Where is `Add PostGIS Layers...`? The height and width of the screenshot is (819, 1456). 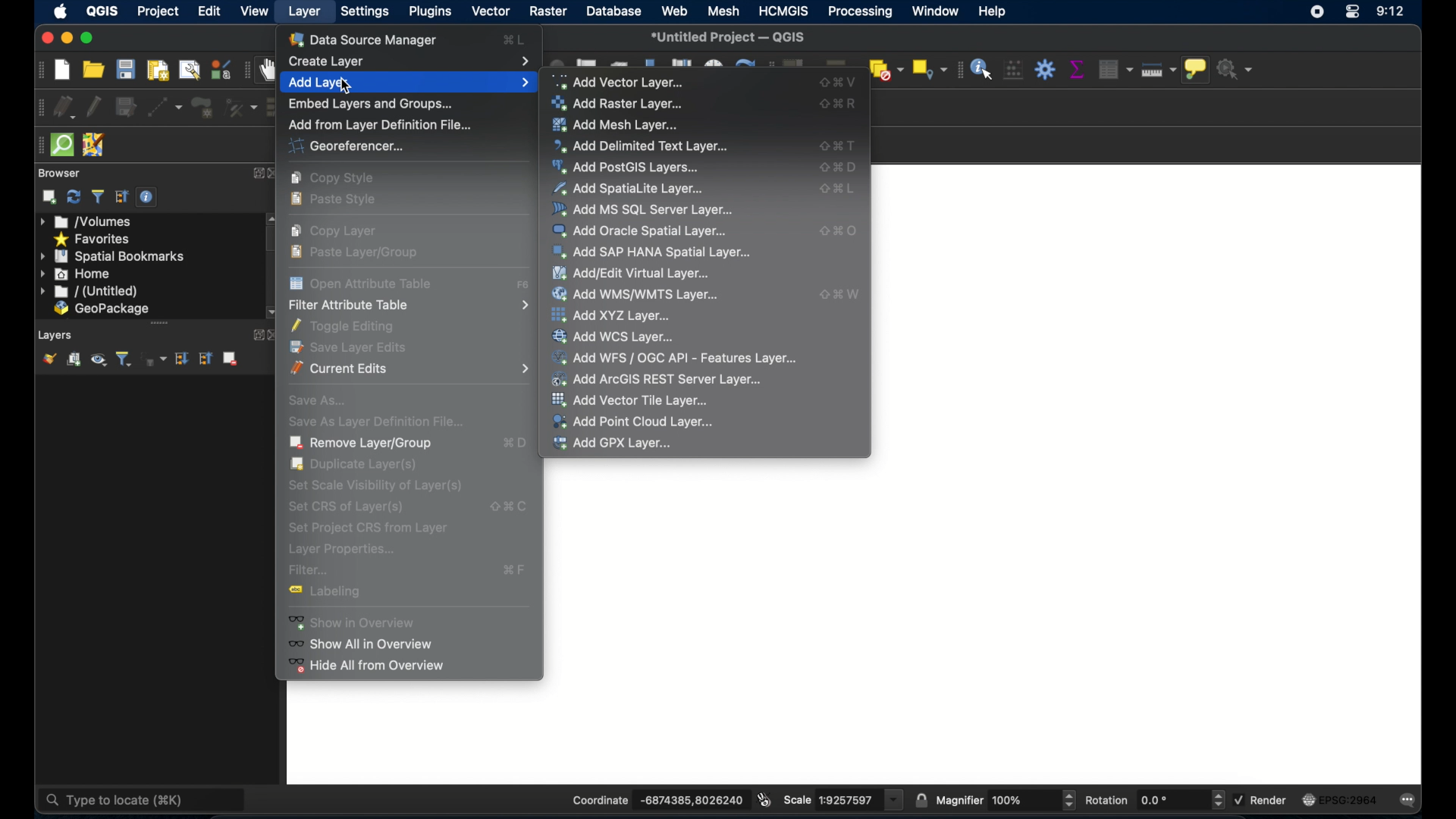
Add PostGIS Layers... is located at coordinates (704, 168).